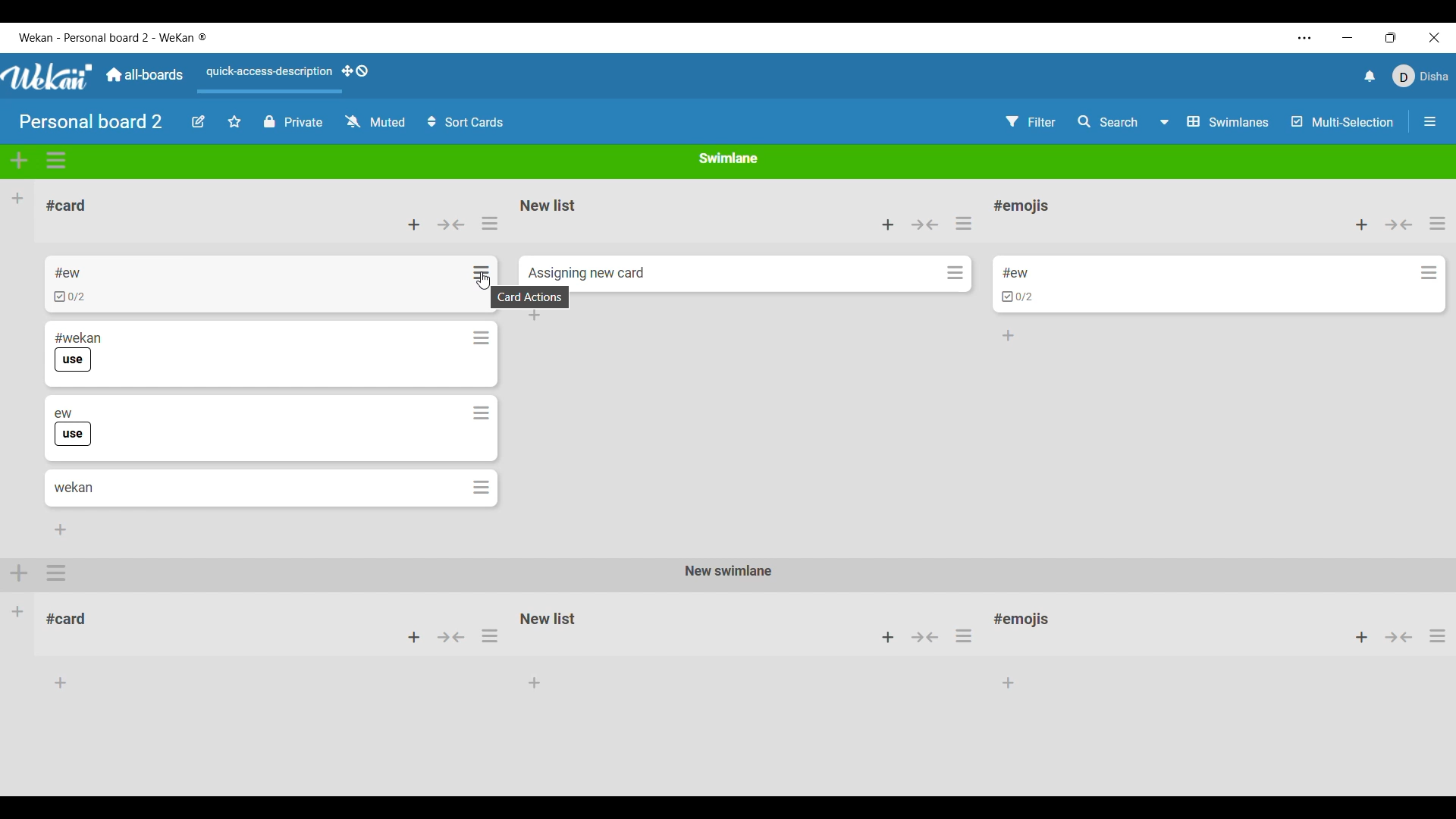 The height and width of the screenshot is (819, 1456). I want to click on Card name, so click(586, 274).